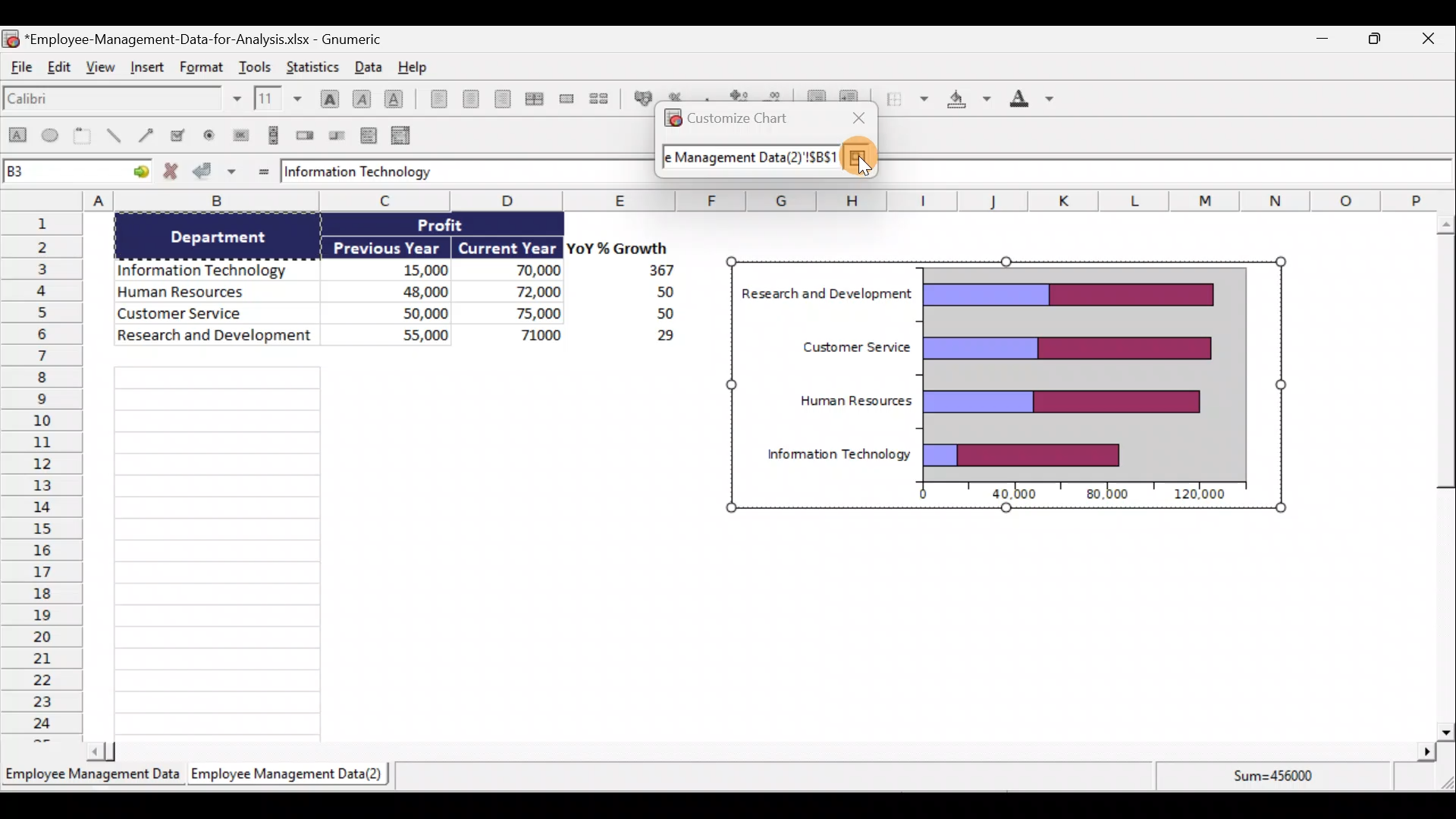 The image size is (1456, 819). Describe the element at coordinates (184, 135) in the screenshot. I see `Create a checkbox` at that location.